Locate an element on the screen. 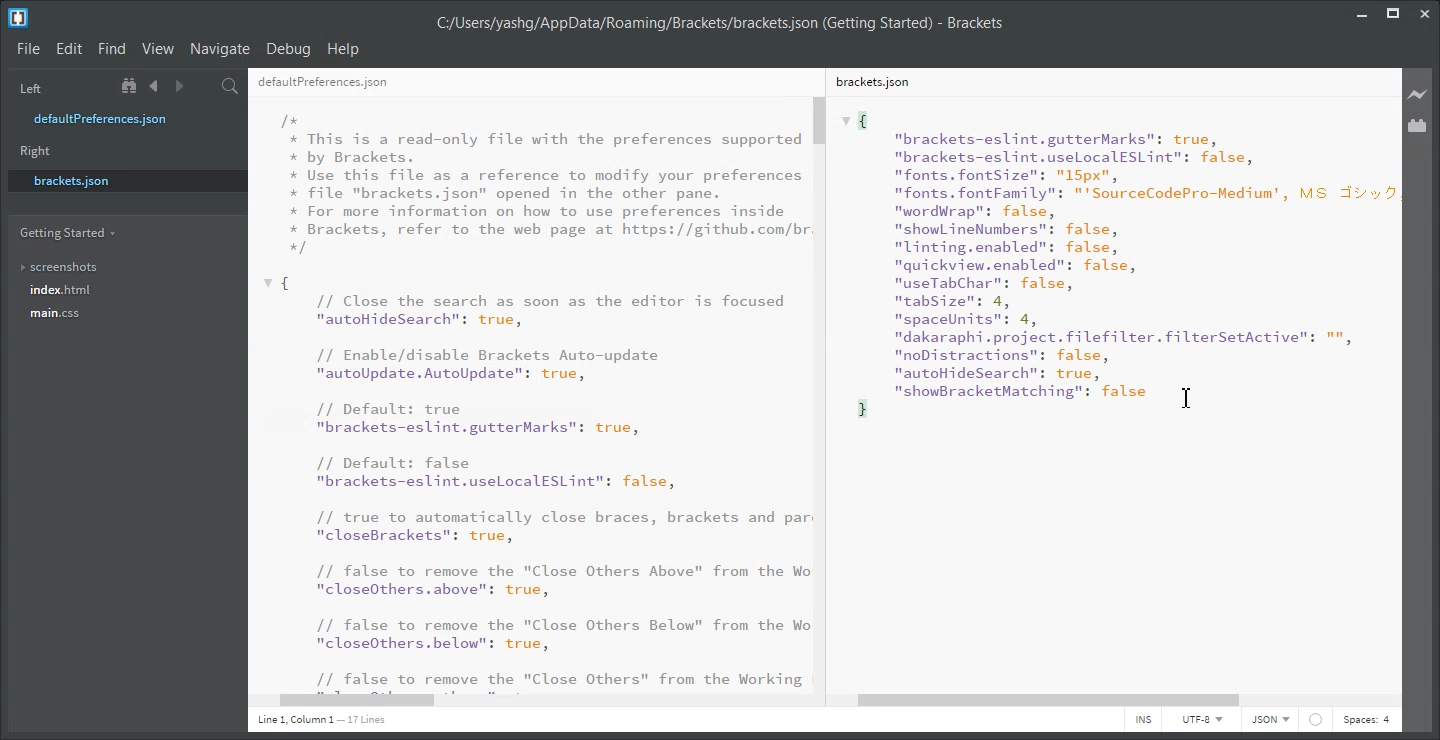 The width and height of the screenshot is (1440, 740). Navigate is located at coordinates (221, 49).